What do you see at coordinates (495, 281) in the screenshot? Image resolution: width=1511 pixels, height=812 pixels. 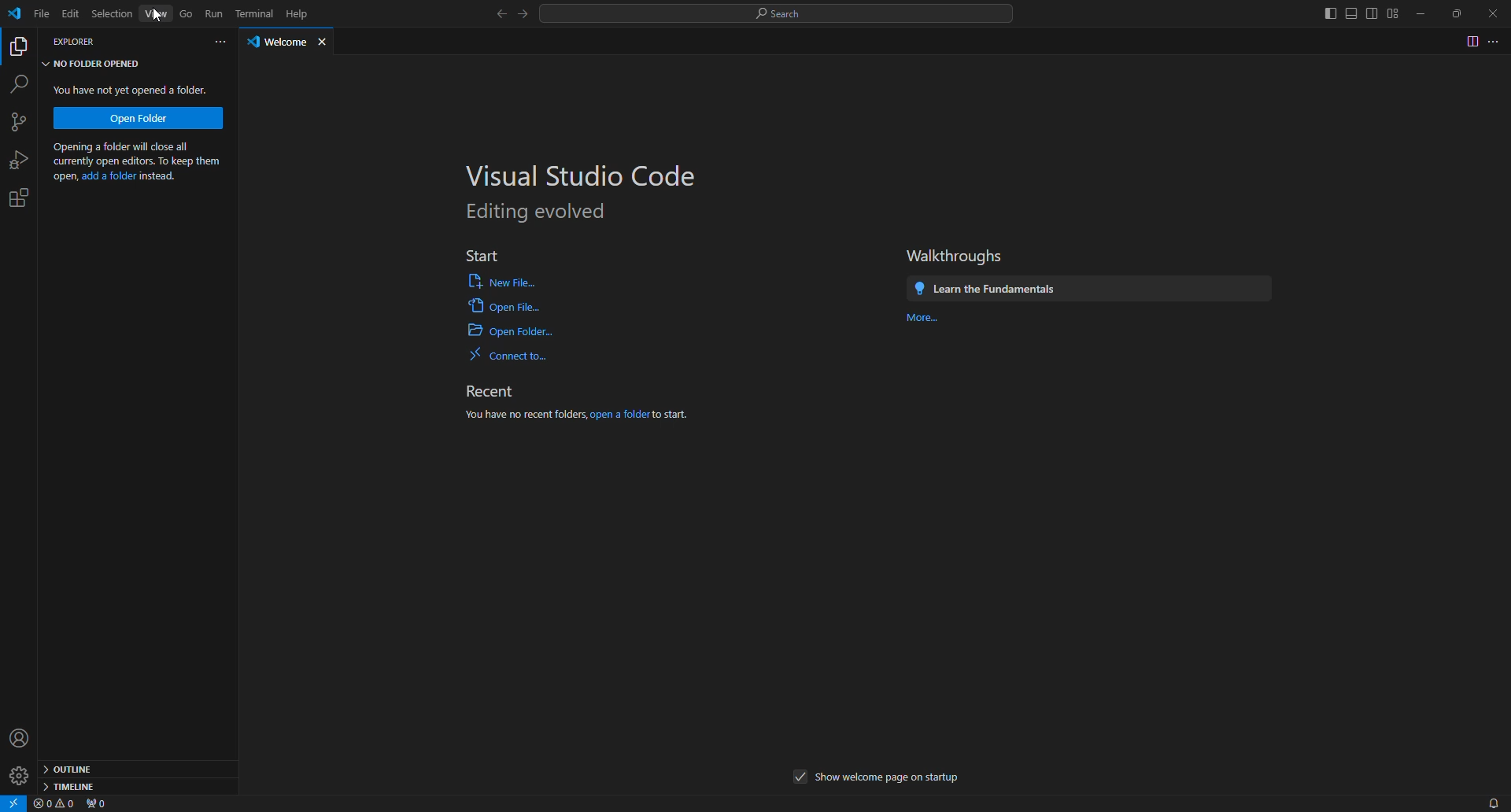 I see `New File` at bounding box center [495, 281].